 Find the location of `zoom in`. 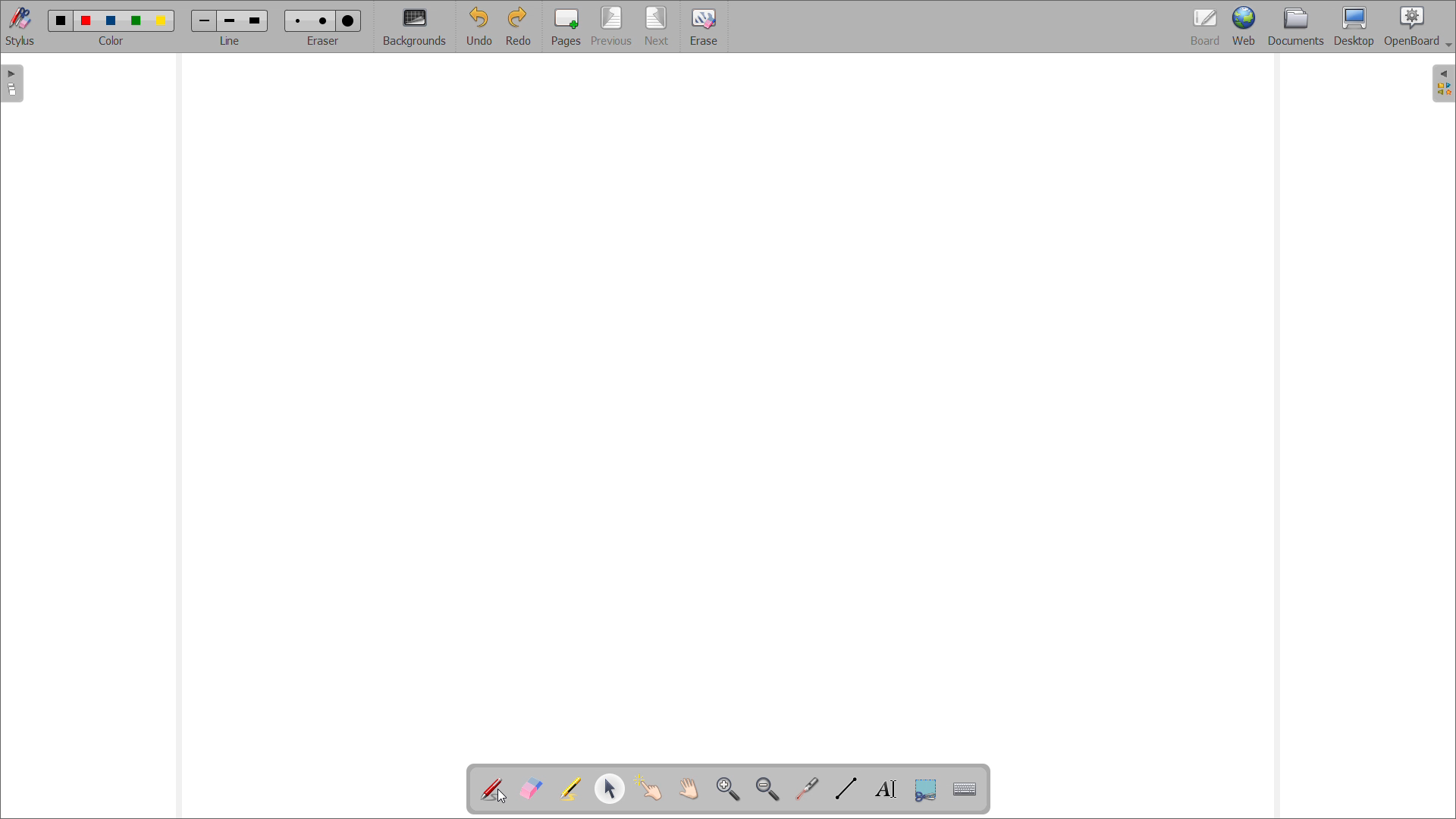

zoom in is located at coordinates (729, 789).